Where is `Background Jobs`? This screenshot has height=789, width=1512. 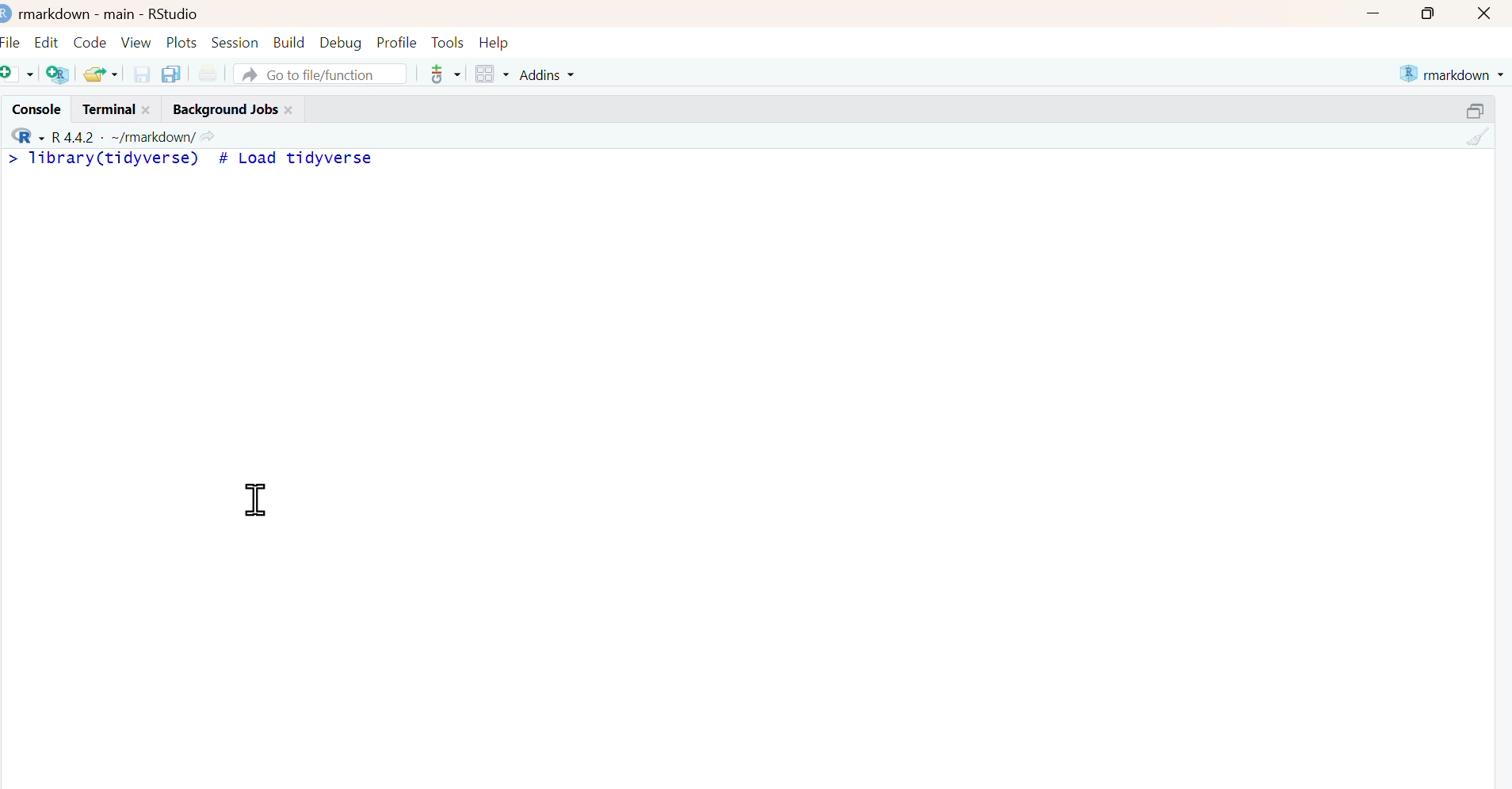 Background Jobs is located at coordinates (223, 108).